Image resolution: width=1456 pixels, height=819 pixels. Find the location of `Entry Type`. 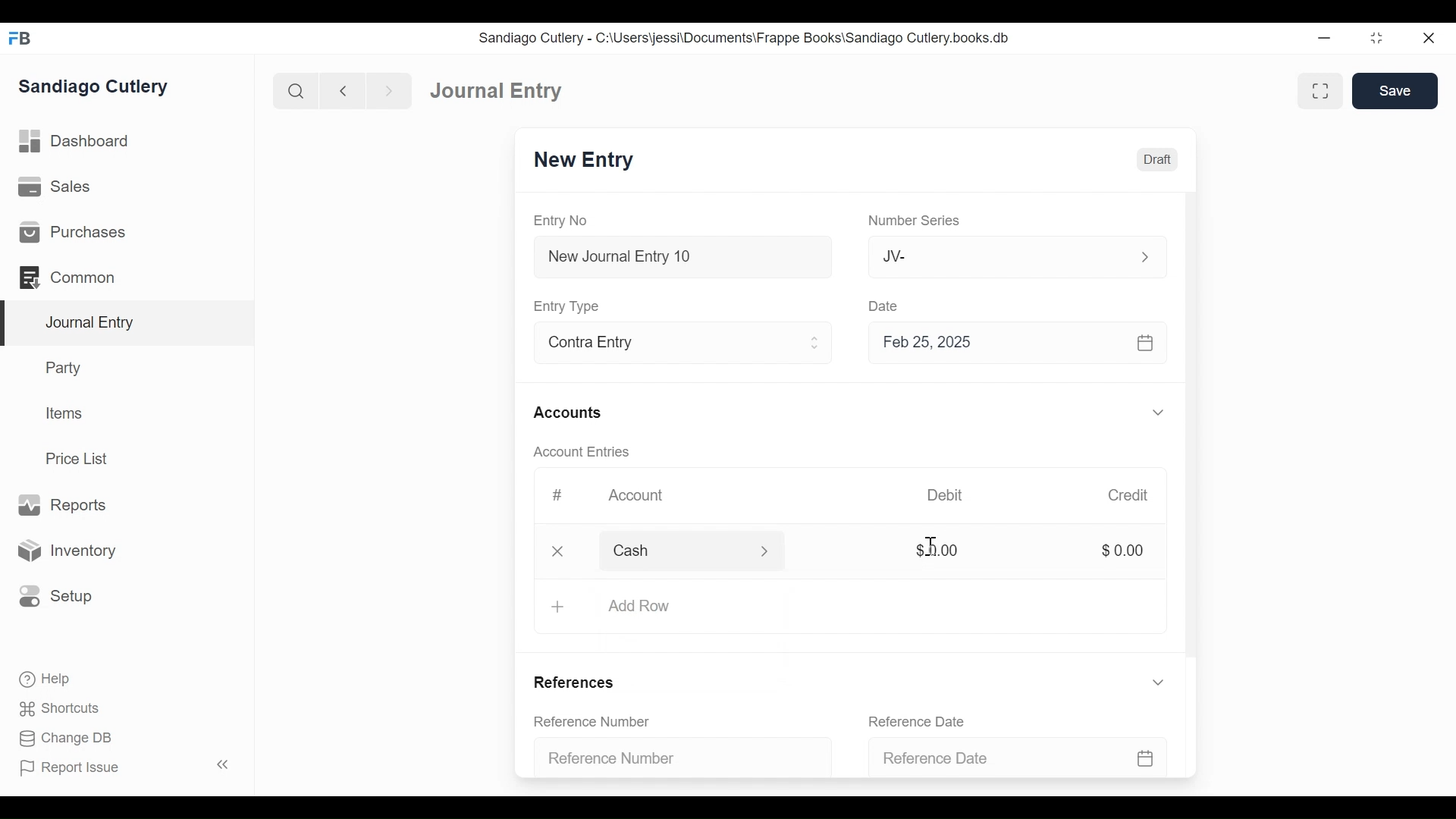

Entry Type is located at coordinates (571, 306).